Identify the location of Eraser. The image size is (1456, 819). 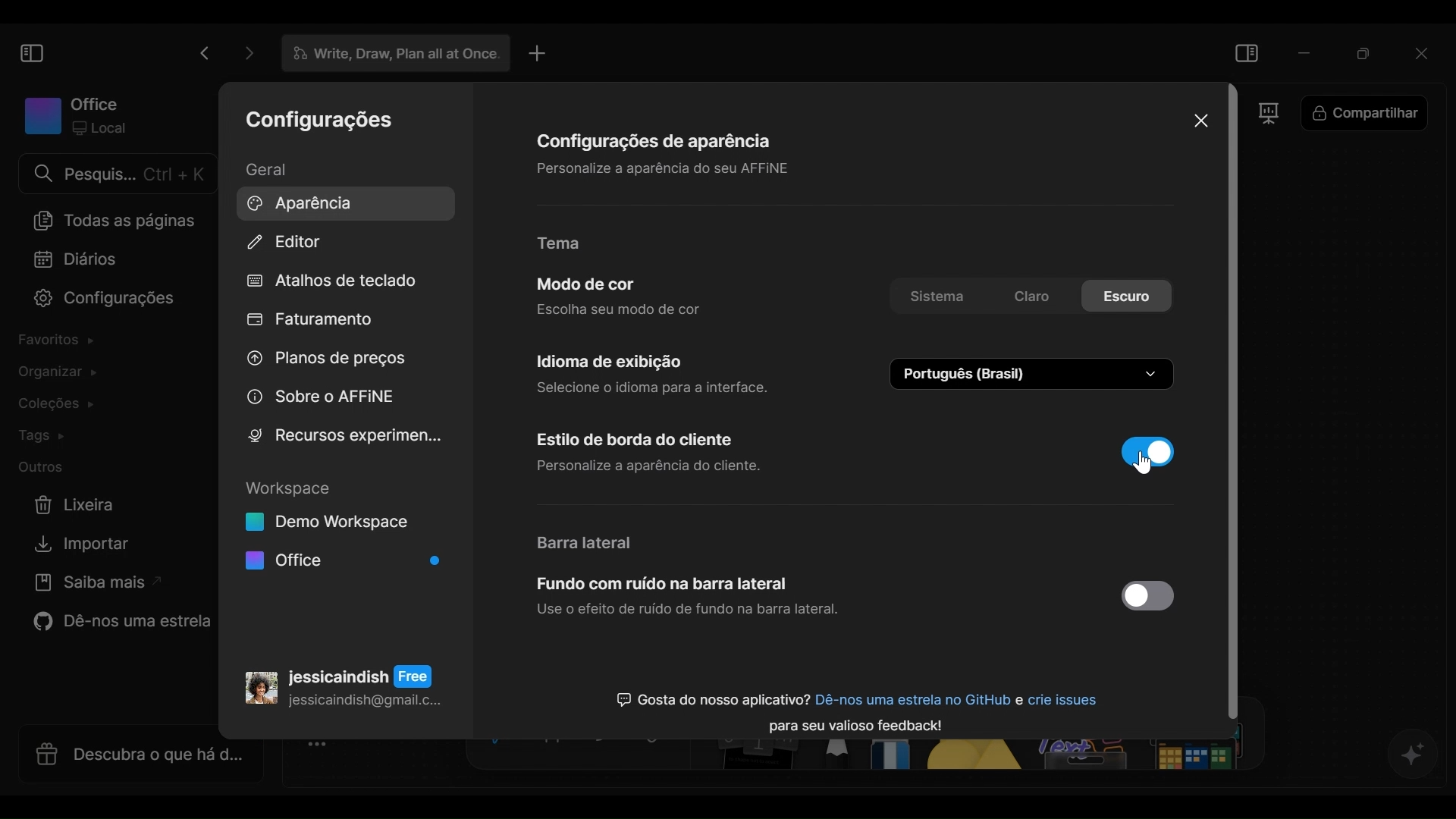
(899, 761).